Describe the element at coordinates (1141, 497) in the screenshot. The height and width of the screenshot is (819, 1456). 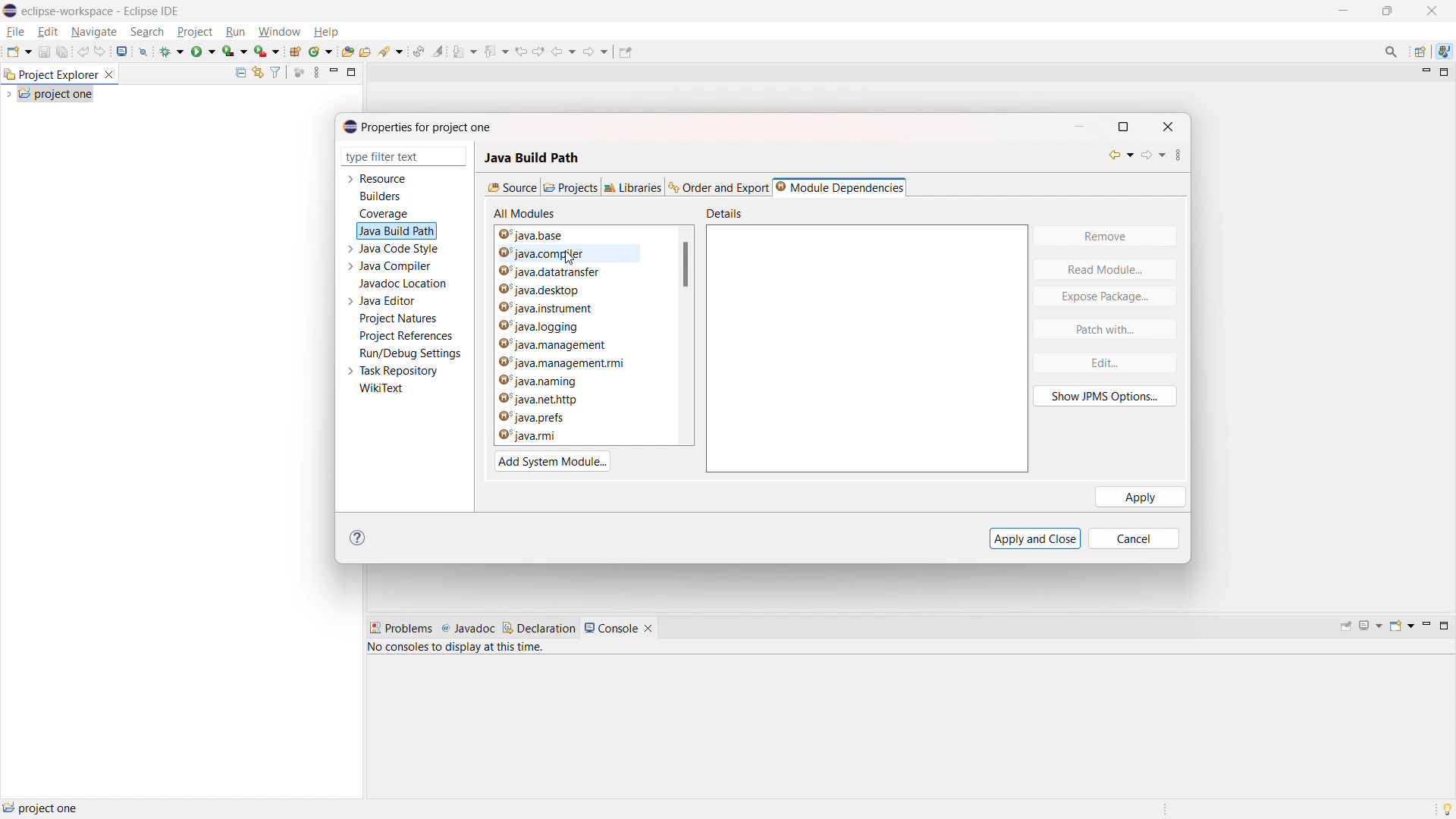
I see `apply` at that location.